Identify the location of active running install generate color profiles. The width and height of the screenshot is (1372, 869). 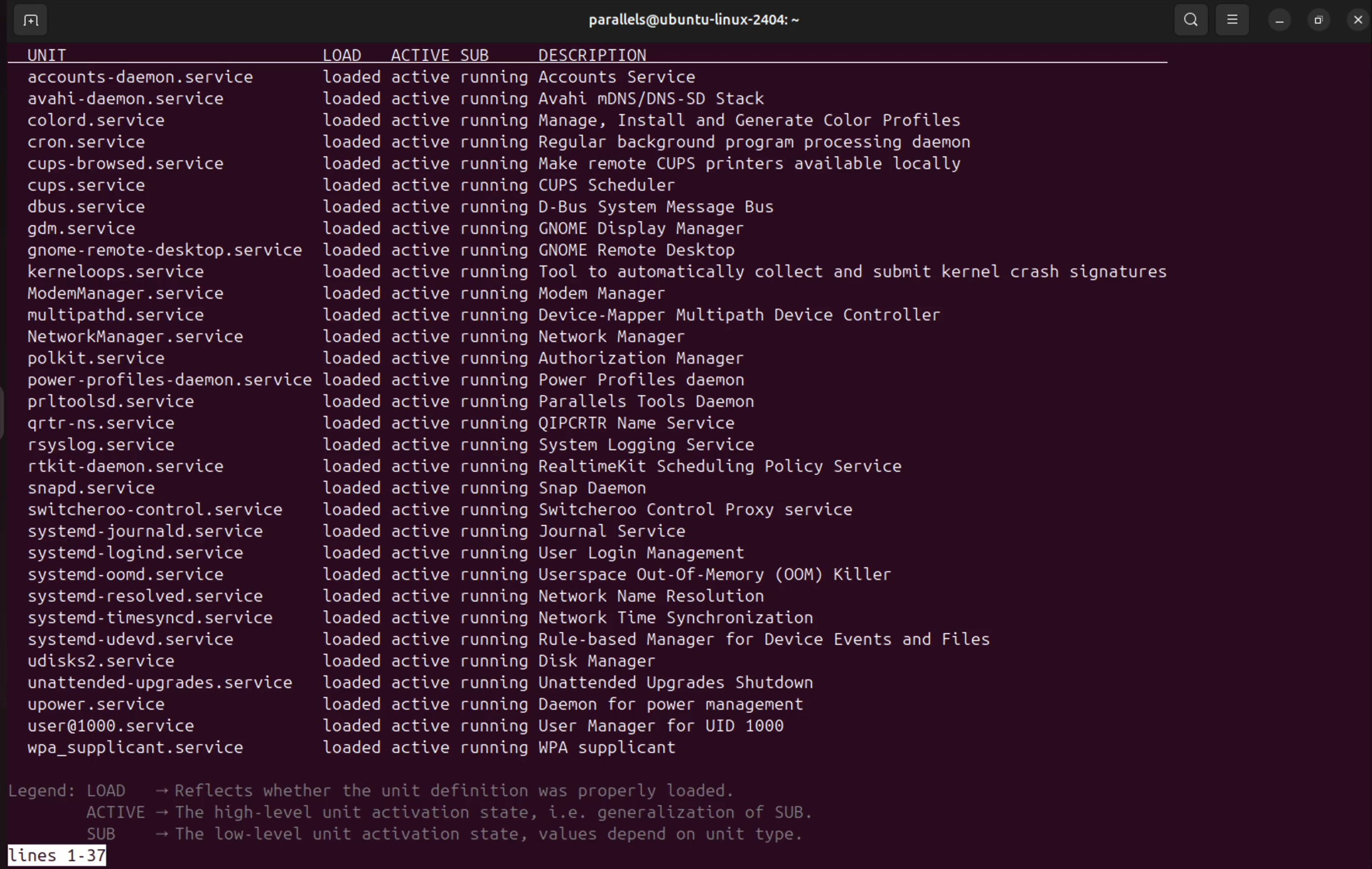
(681, 122).